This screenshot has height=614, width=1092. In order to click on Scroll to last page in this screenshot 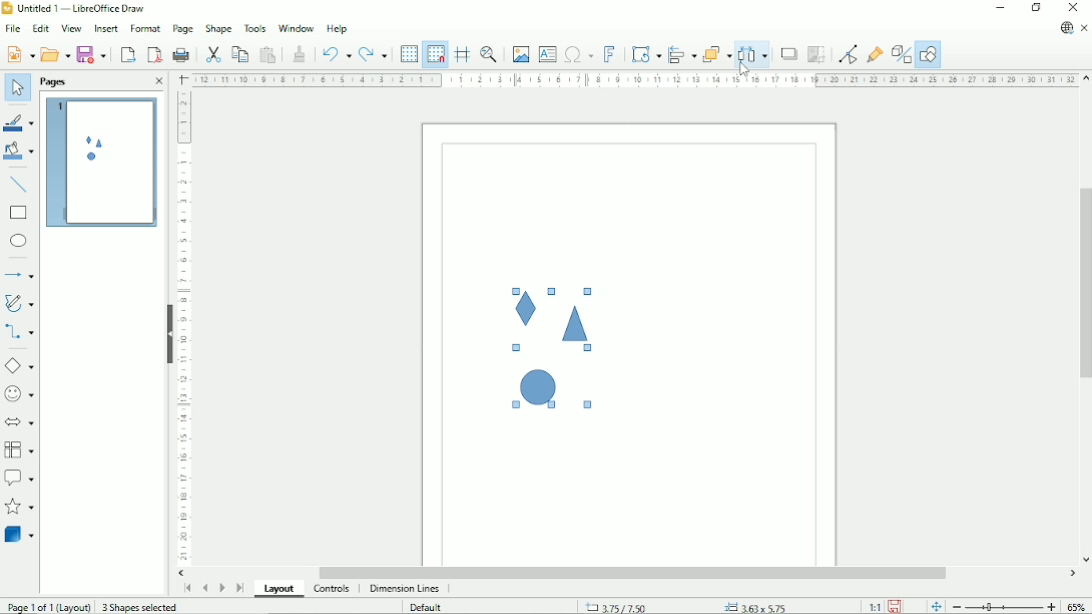, I will do `click(240, 588)`.